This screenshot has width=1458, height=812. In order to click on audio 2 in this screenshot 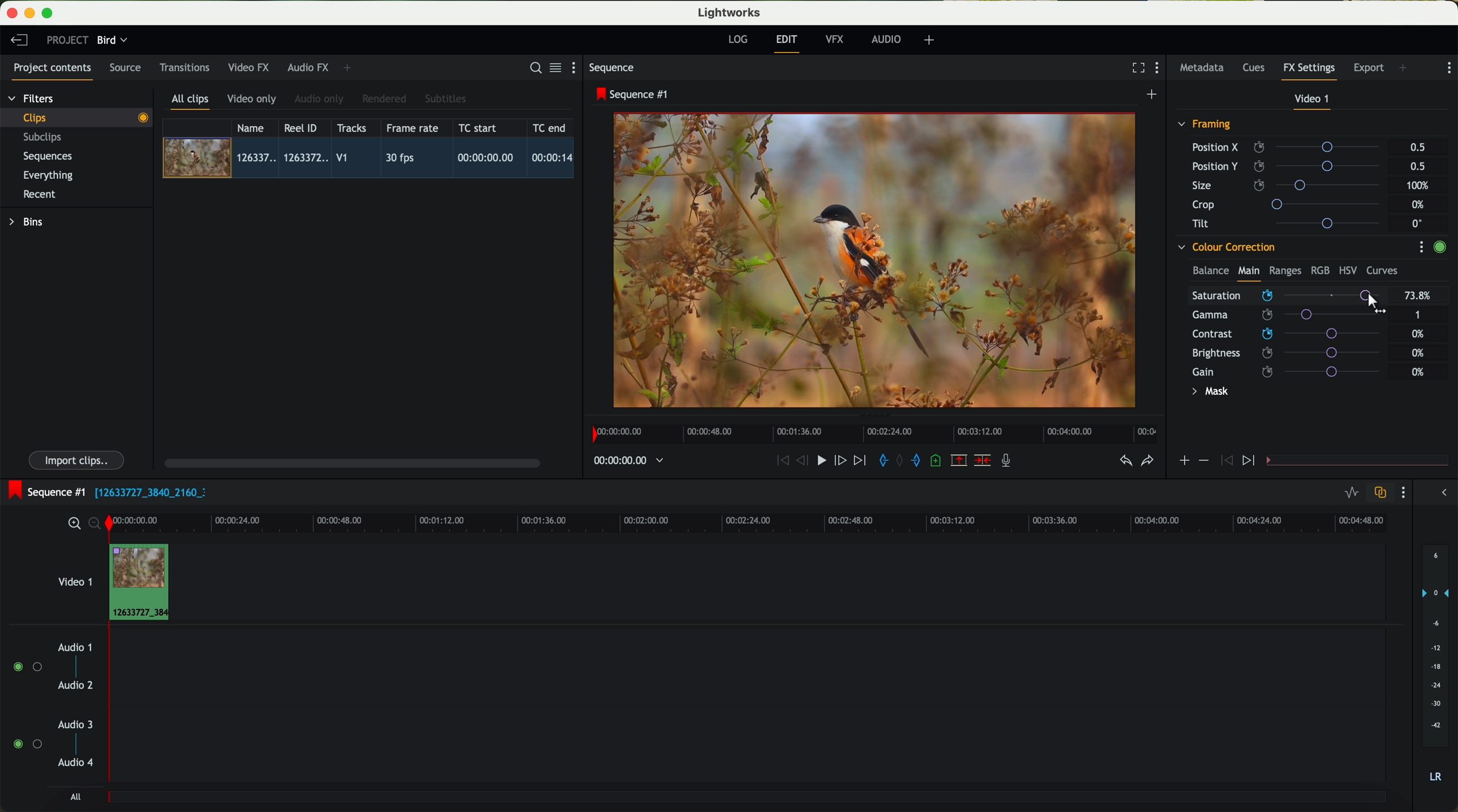, I will do `click(76, 686)`.